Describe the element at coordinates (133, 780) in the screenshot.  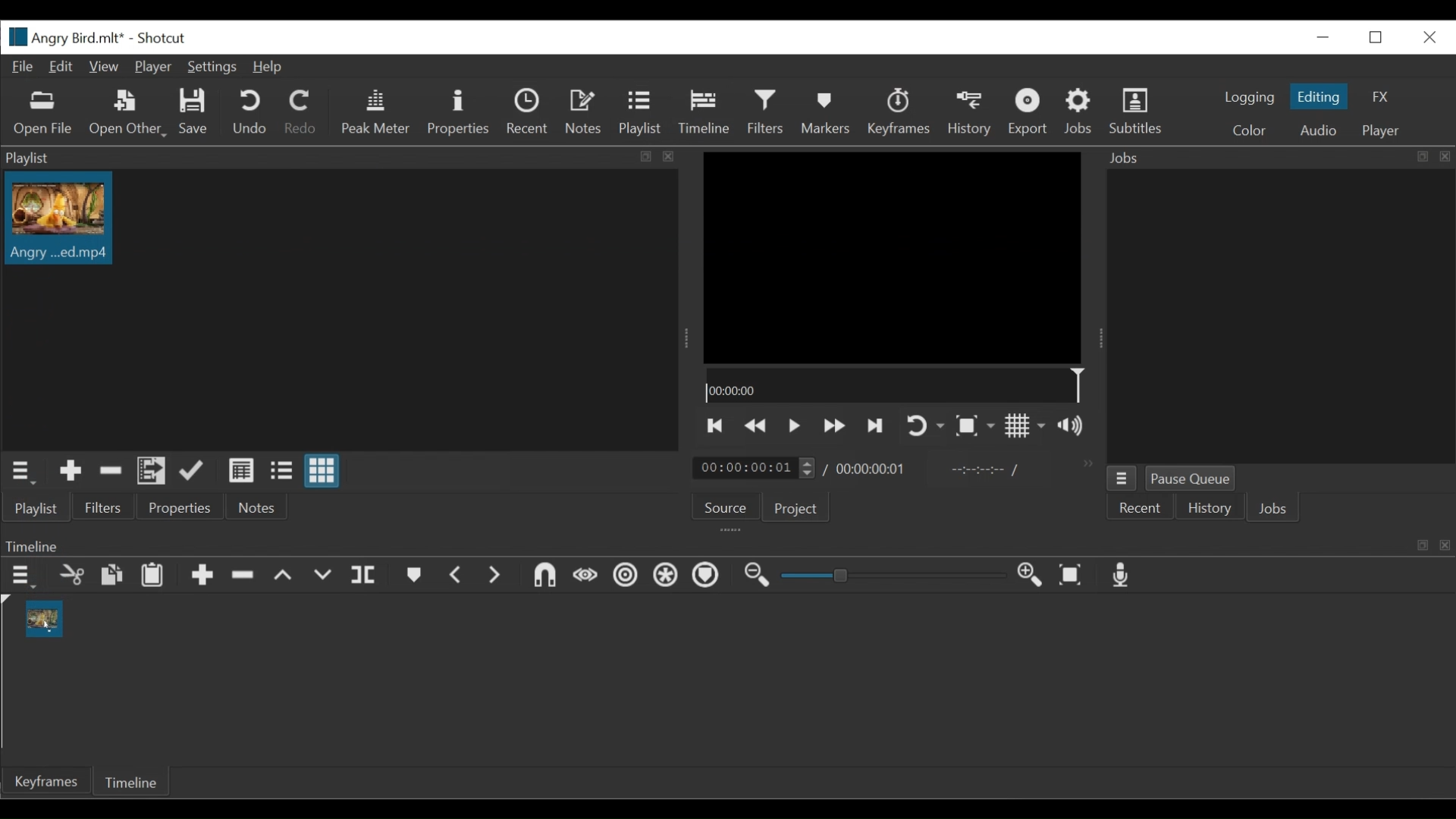
I see `Timeline` at that location.